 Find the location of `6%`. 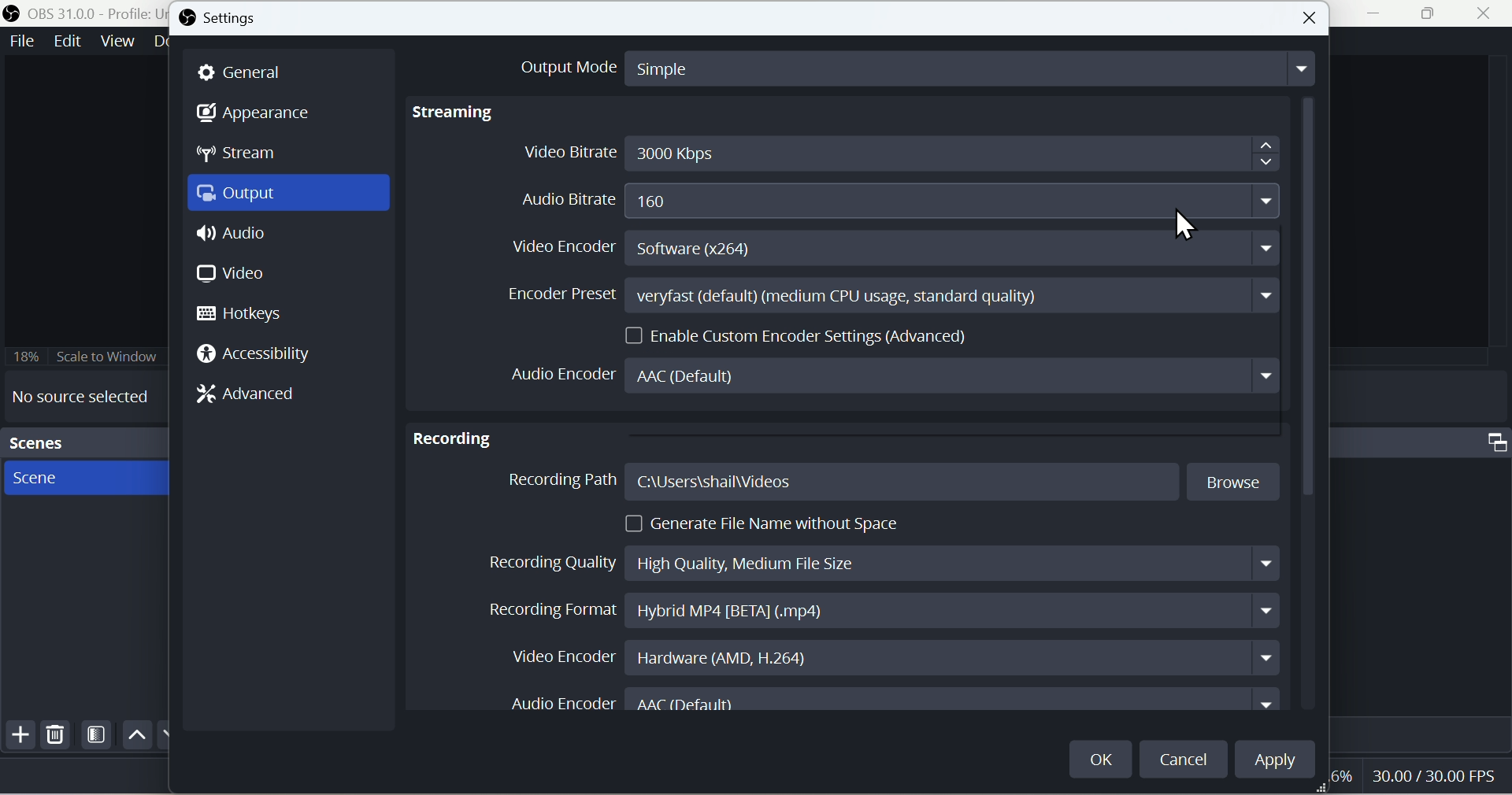

6% is located at coordinates (1336, 775).